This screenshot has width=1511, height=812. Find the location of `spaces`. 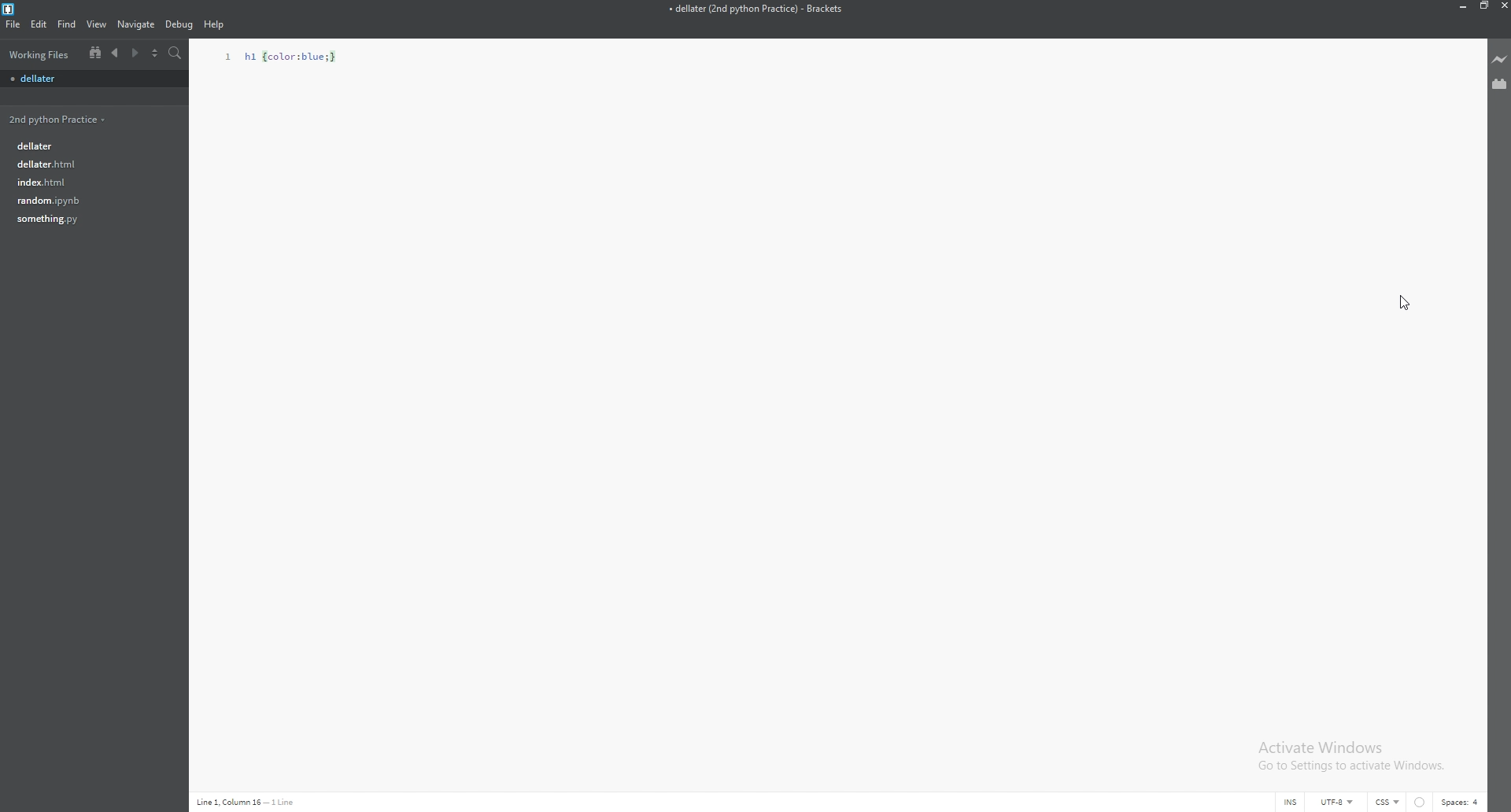

spaces is located at coordinates (1461, 802).